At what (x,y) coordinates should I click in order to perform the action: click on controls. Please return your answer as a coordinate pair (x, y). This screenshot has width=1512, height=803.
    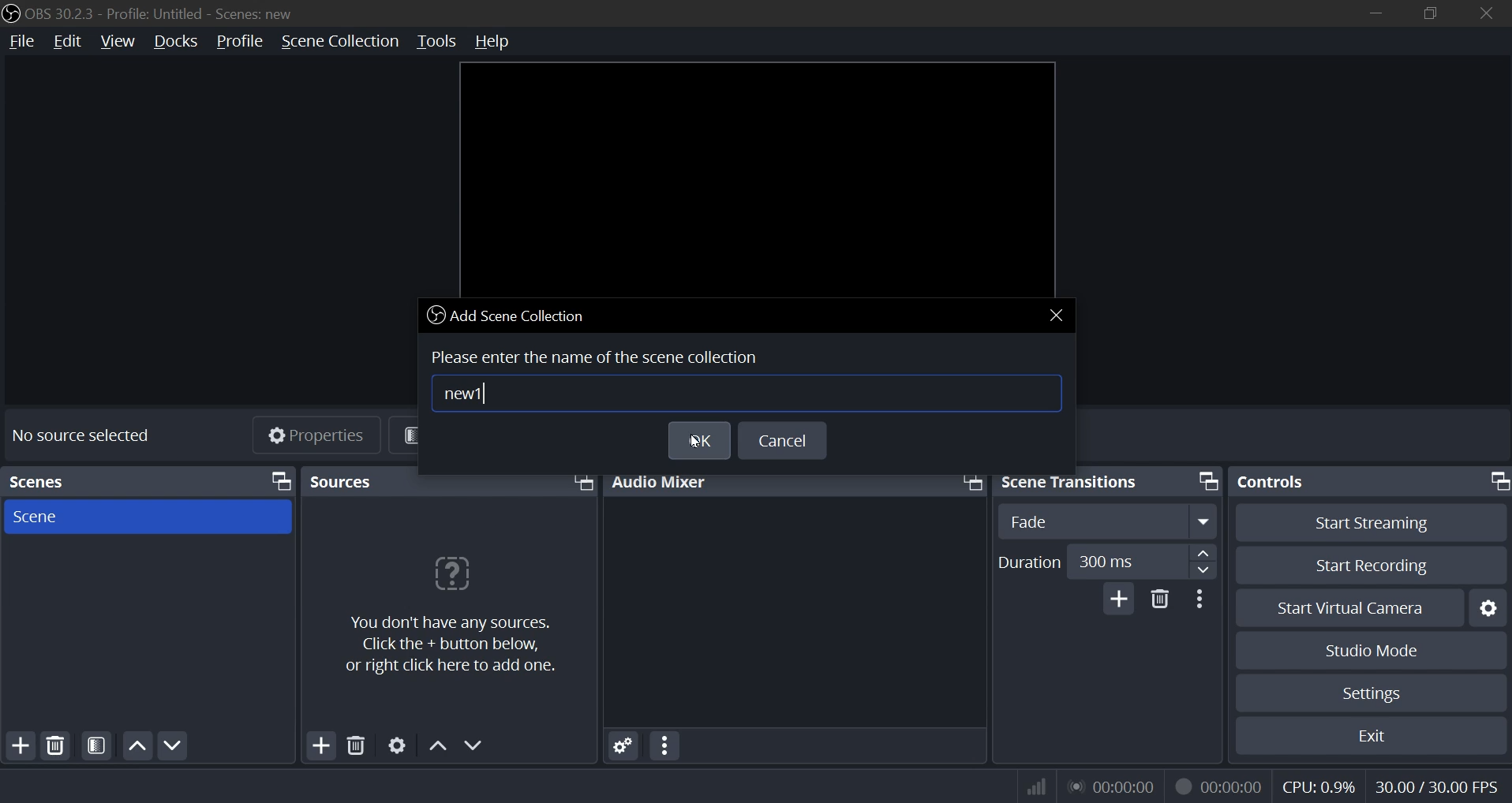
    Looking at the image, I should click on (1277, 483).